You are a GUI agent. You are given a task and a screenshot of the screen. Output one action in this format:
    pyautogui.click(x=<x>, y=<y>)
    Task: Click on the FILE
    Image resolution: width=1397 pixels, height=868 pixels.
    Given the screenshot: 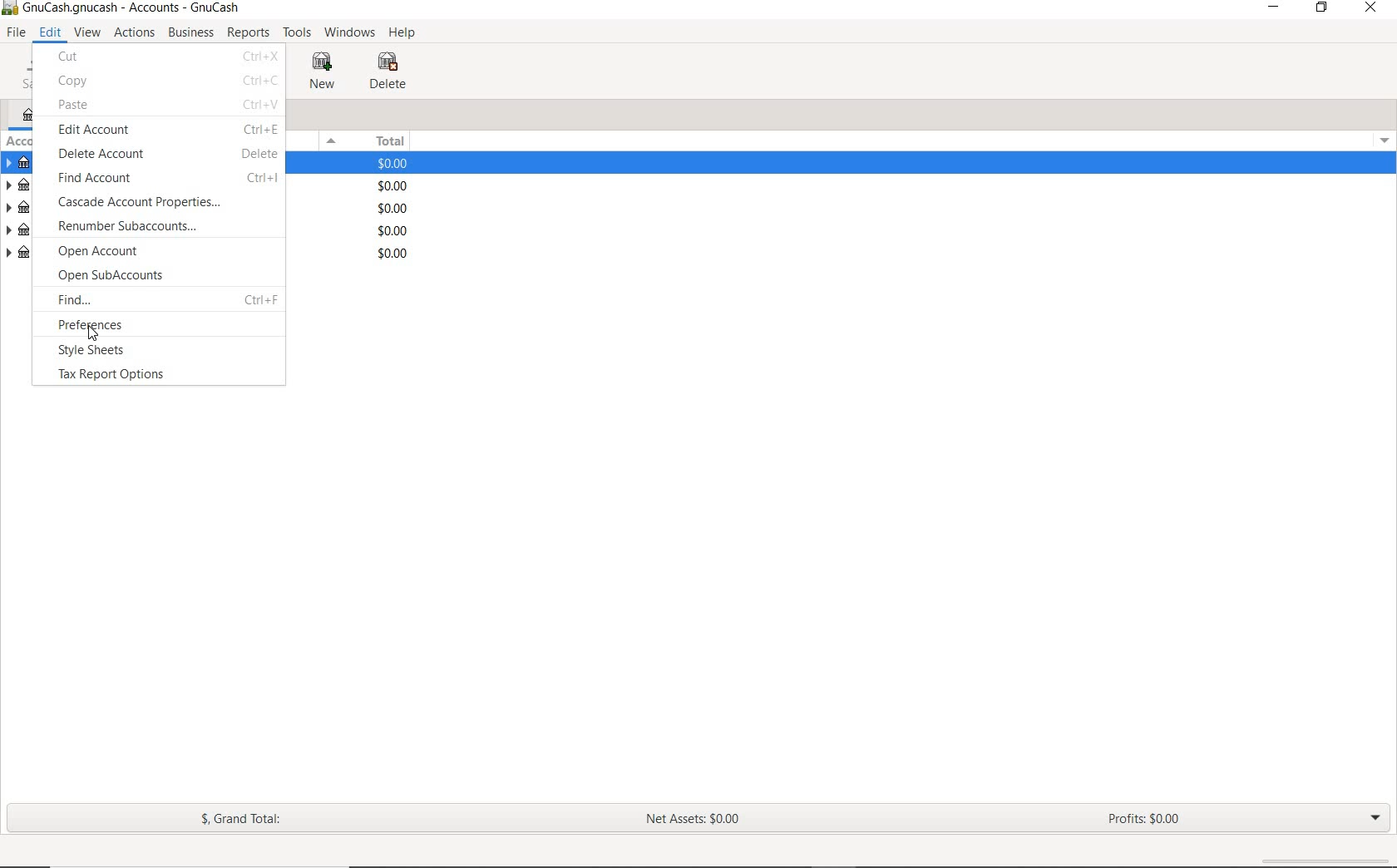 What is the action you would take?
    pyautogui.click(x=14, y=32)
    